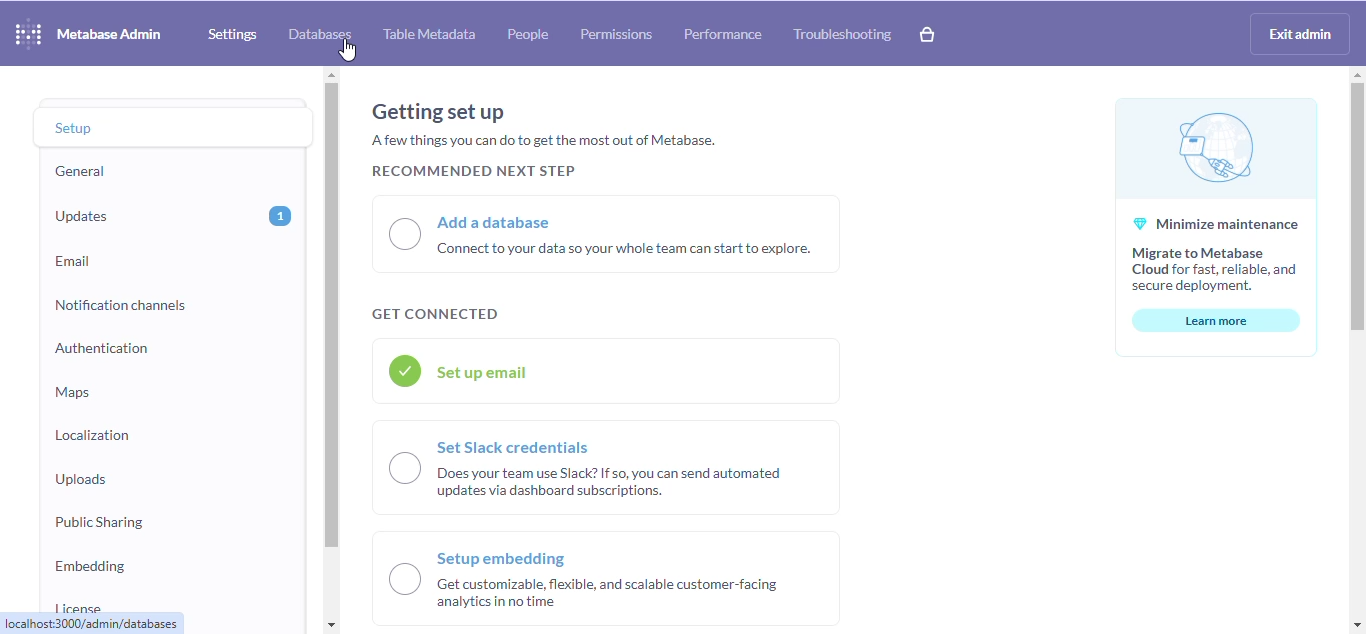 The image size is (1366, 634). What do you see at coordinates (543, 140) in the screenshot?
I see `a few things you can do to get the most out of metabase.` at bounding box center [543, 140].